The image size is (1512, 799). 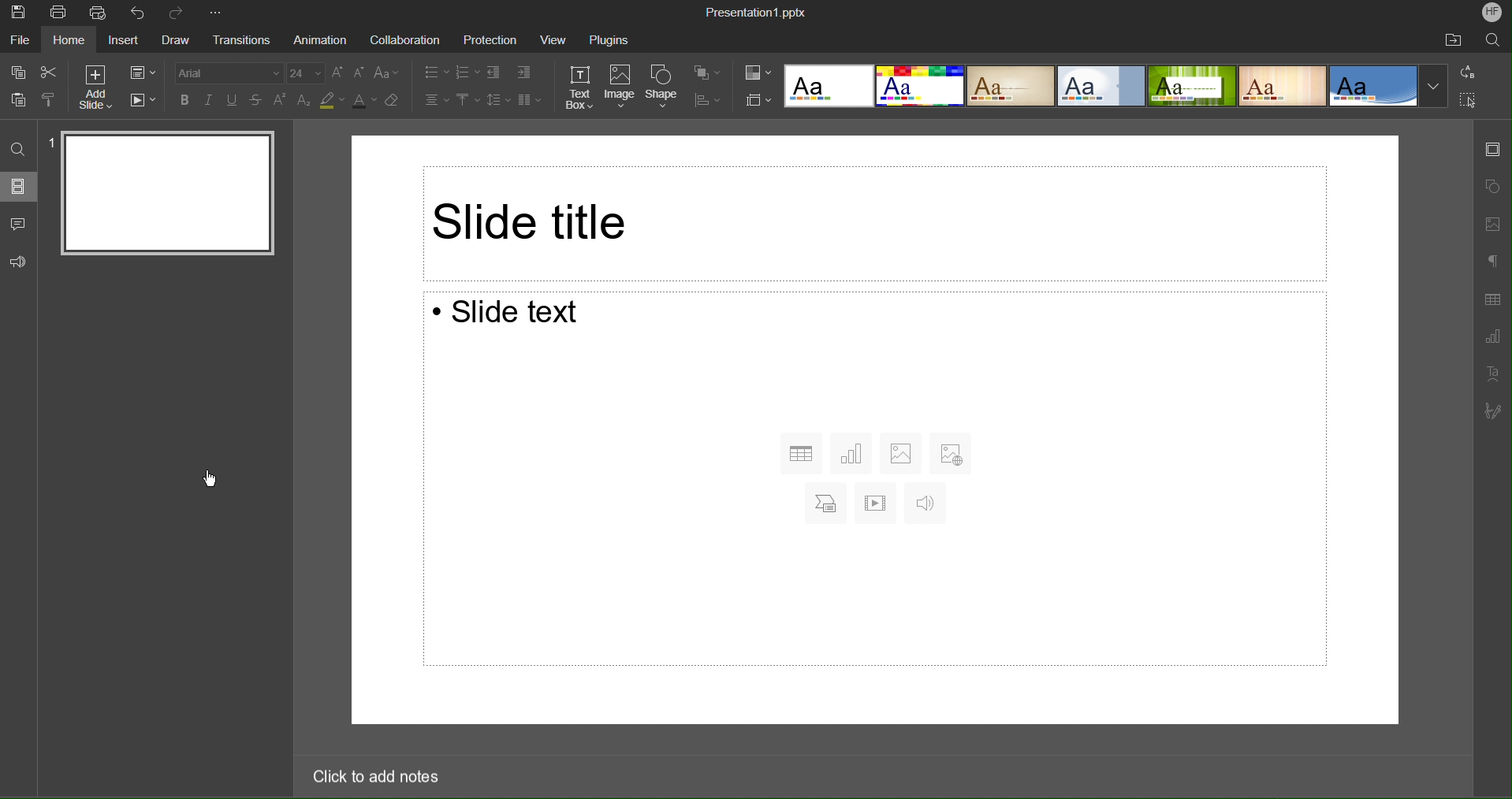 I want to click on Remaining Slide, so click(x=874, y=225).